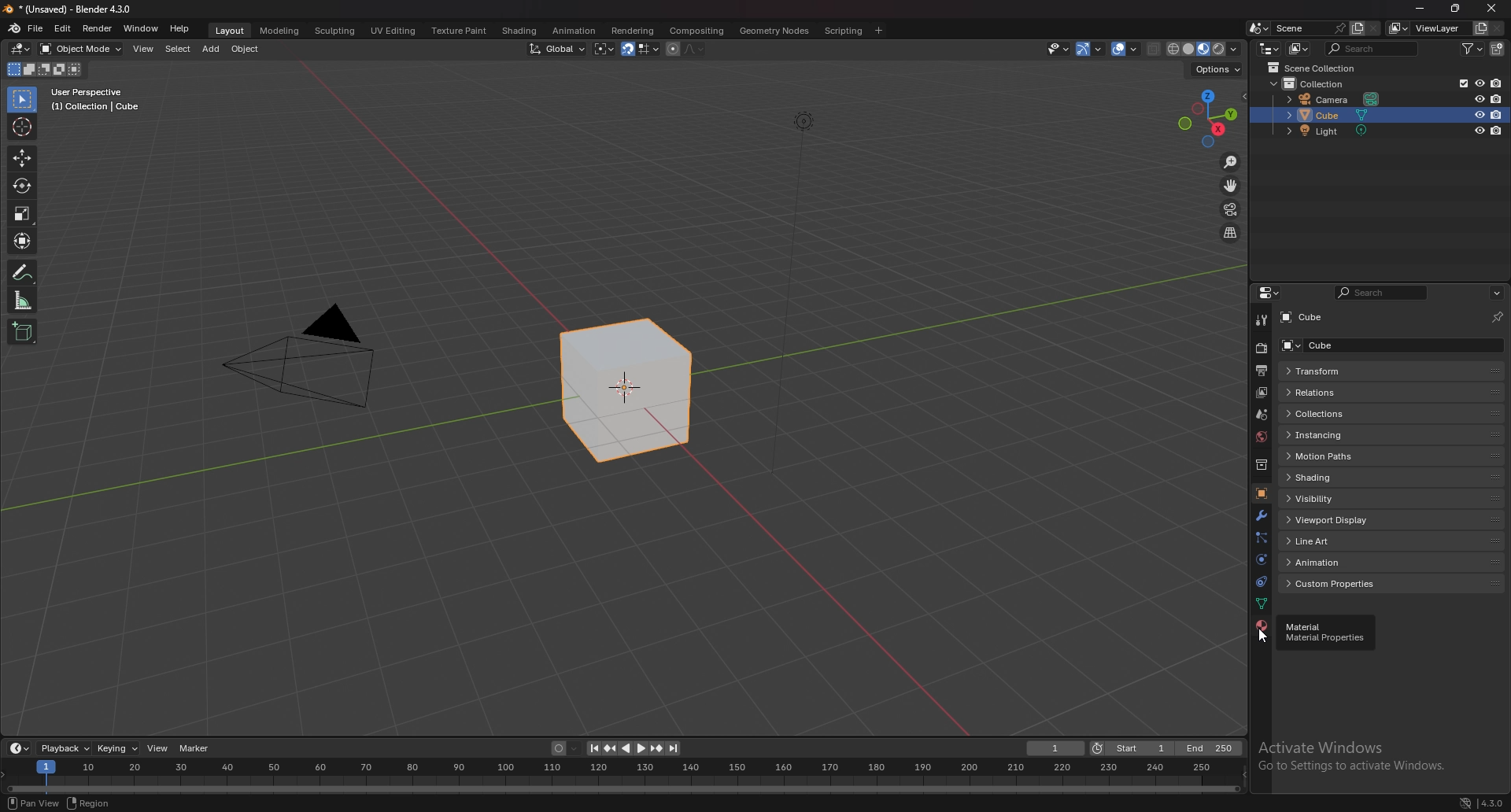 The image size is (1511, 812). Describe the element at coordinates (1389, 369) in the screenshot. I see `transform` at that location.